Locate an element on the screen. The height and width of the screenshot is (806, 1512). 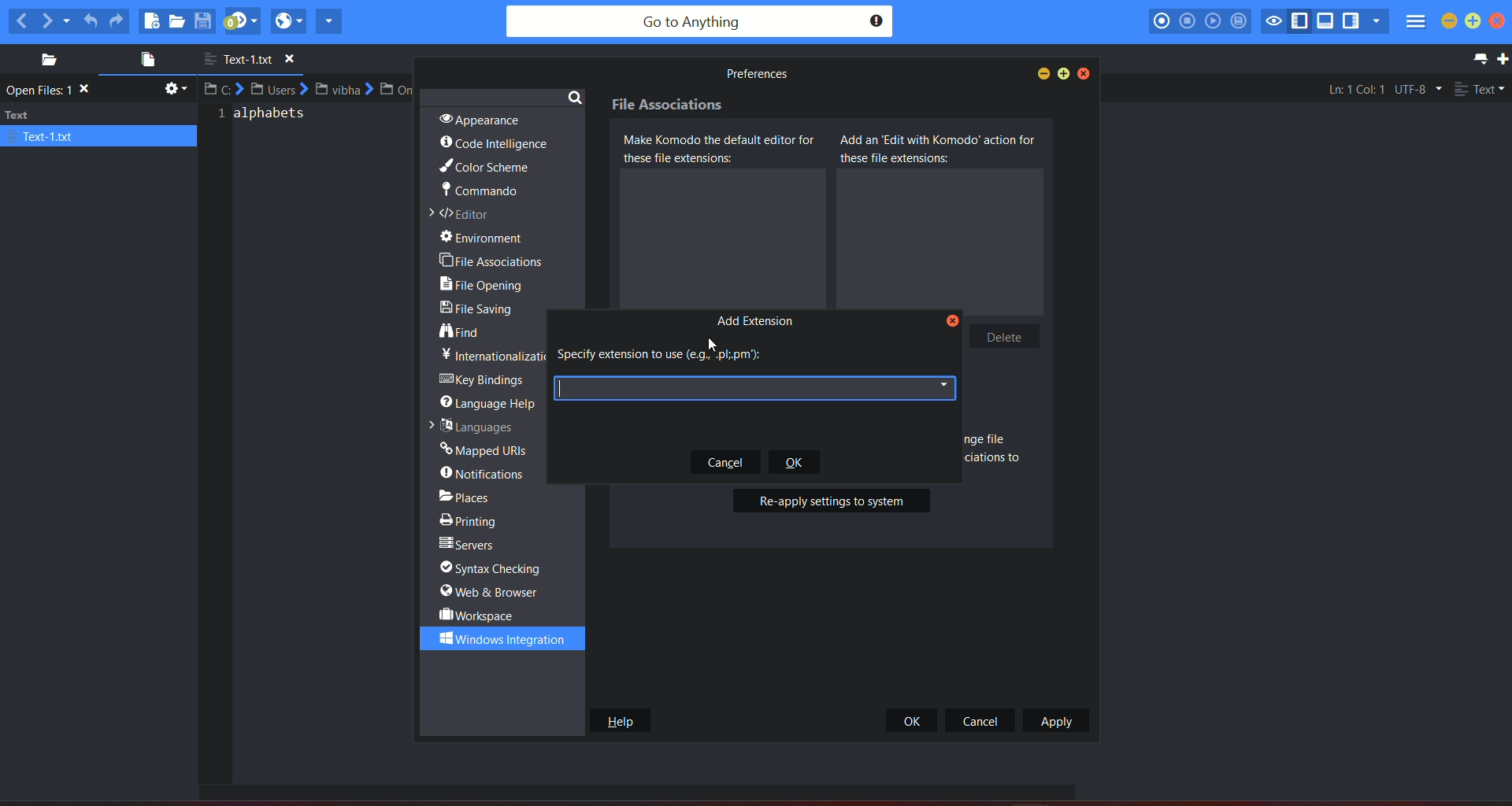
add extension is located at coordinates (757, 318).